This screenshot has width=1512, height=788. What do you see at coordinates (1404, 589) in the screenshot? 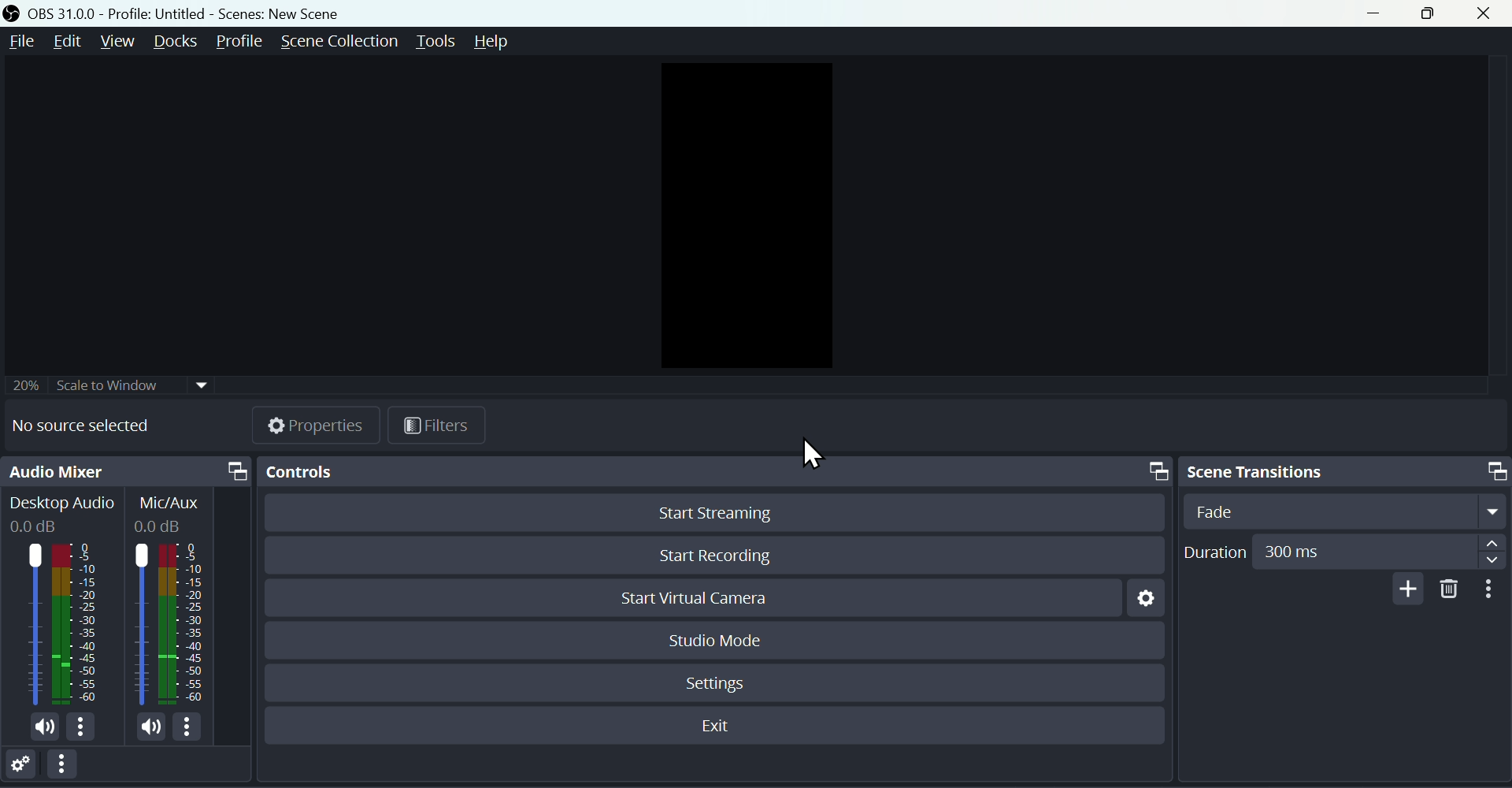
I see `Add` at bounding box center [1404, 589].